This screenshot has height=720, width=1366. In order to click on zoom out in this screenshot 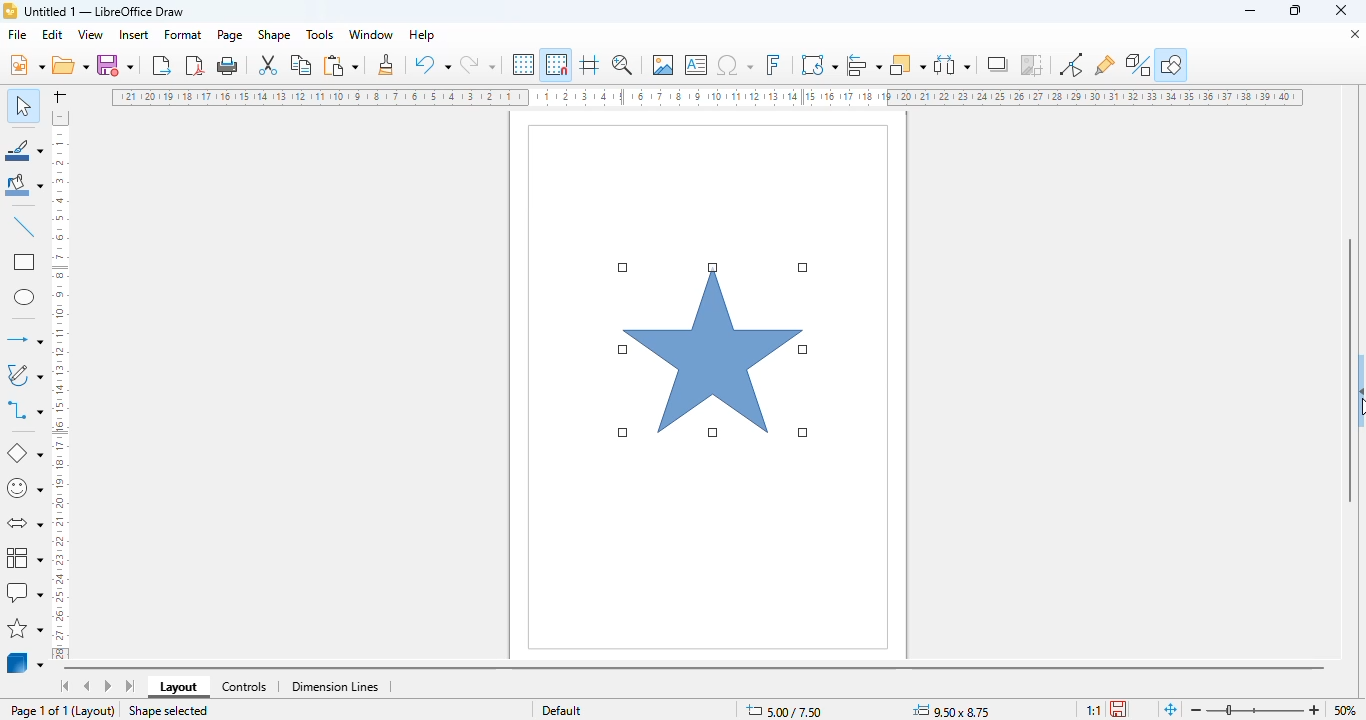, I will do `click(1315, 709)`.